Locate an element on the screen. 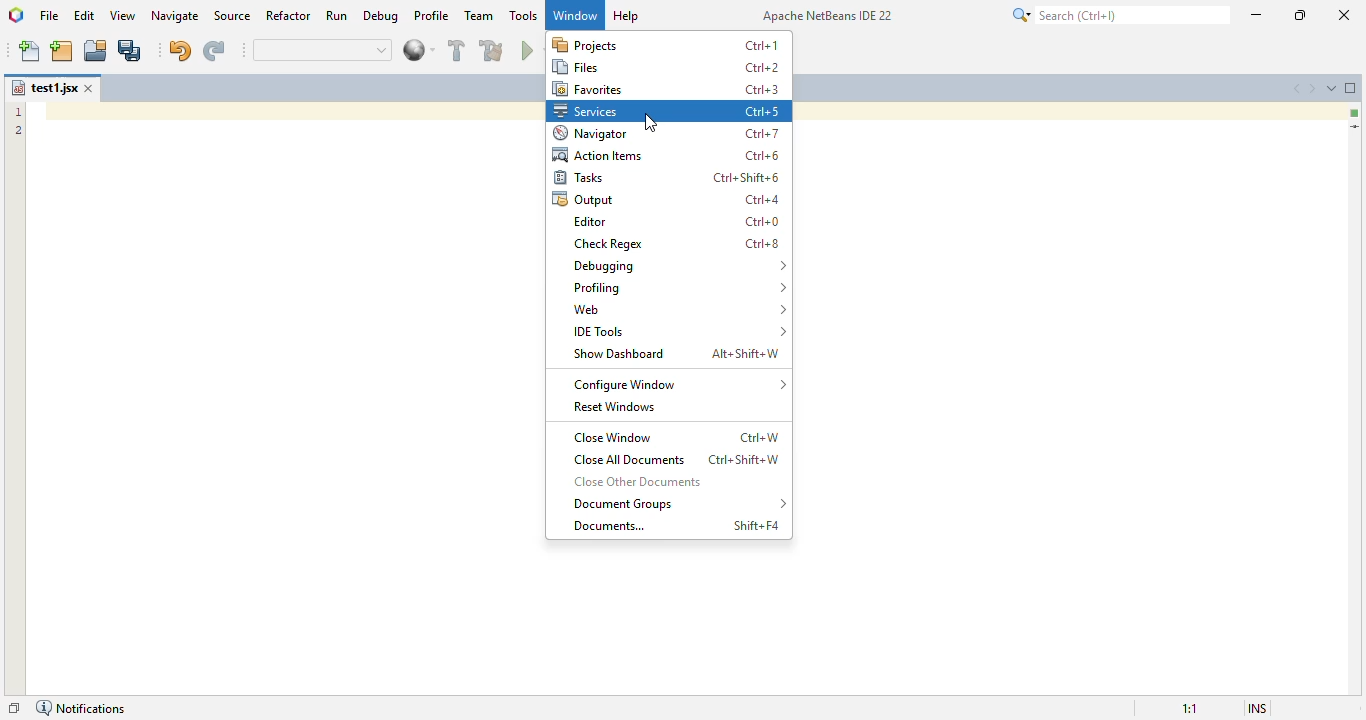 This screenshot has height=720, width=1366. debugging is located at coordinates (680, 266).